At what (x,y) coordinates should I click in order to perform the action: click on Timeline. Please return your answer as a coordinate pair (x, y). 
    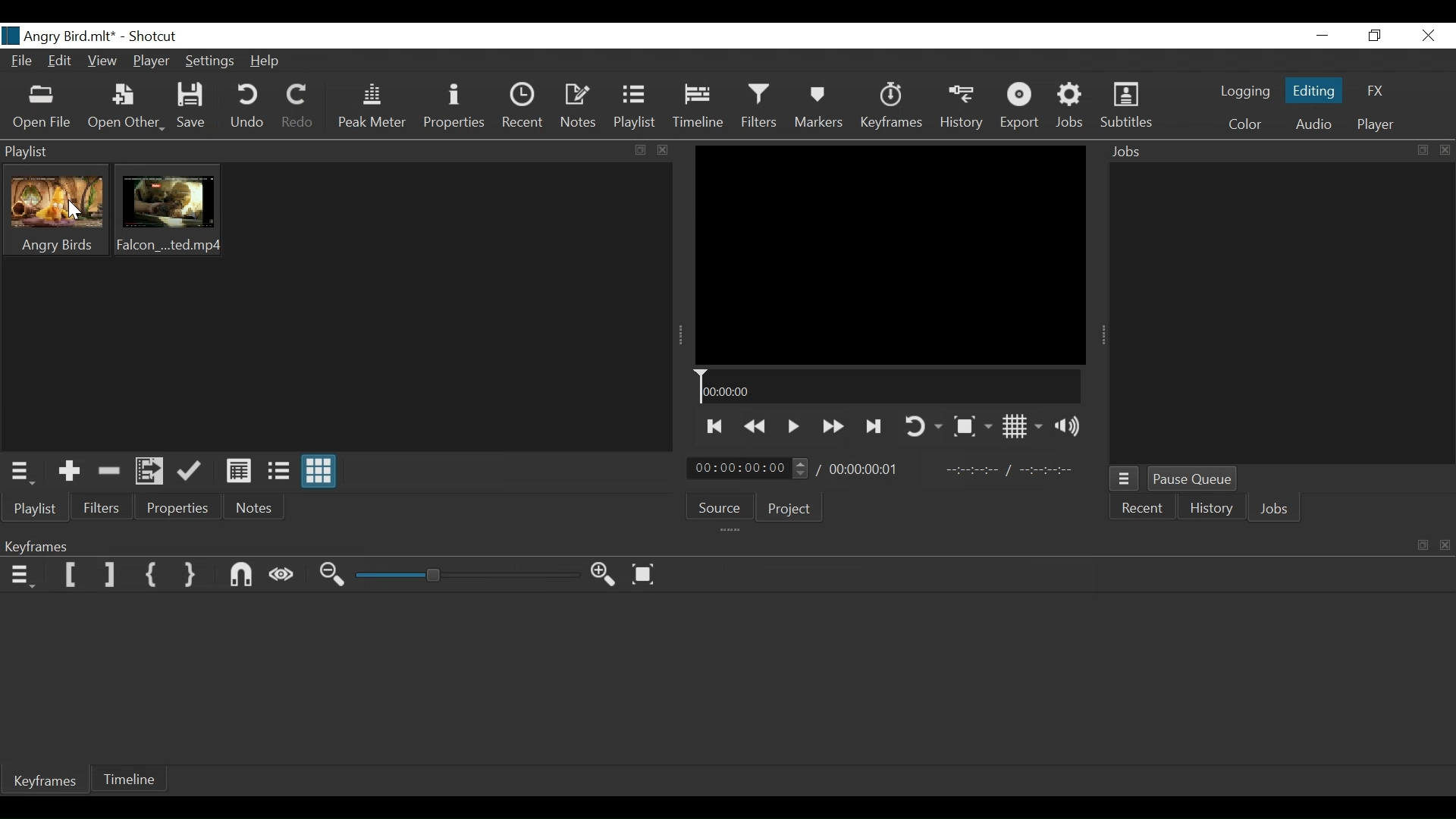
    Looking at the image, I should click on (890, 388).